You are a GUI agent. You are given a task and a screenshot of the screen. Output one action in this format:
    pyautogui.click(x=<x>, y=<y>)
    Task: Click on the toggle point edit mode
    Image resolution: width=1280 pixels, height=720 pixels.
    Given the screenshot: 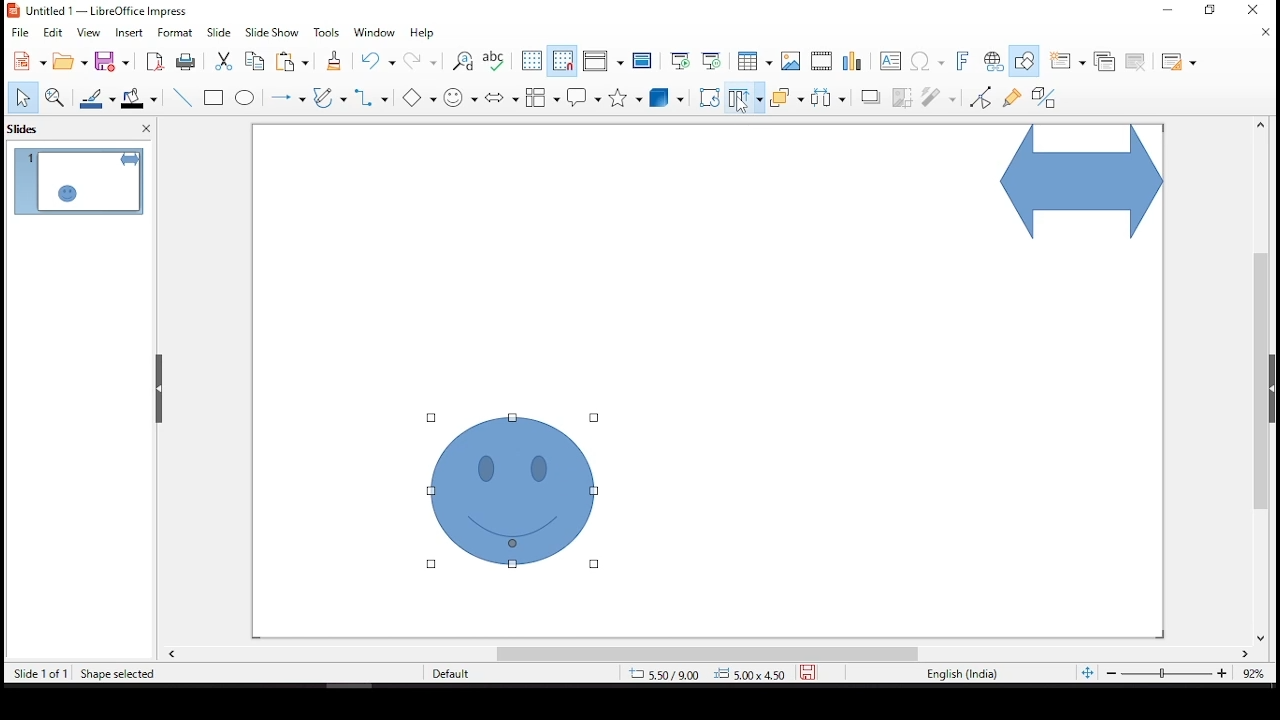 What is the action you would take?
    pyautogui.click(x=982, y=96)
    